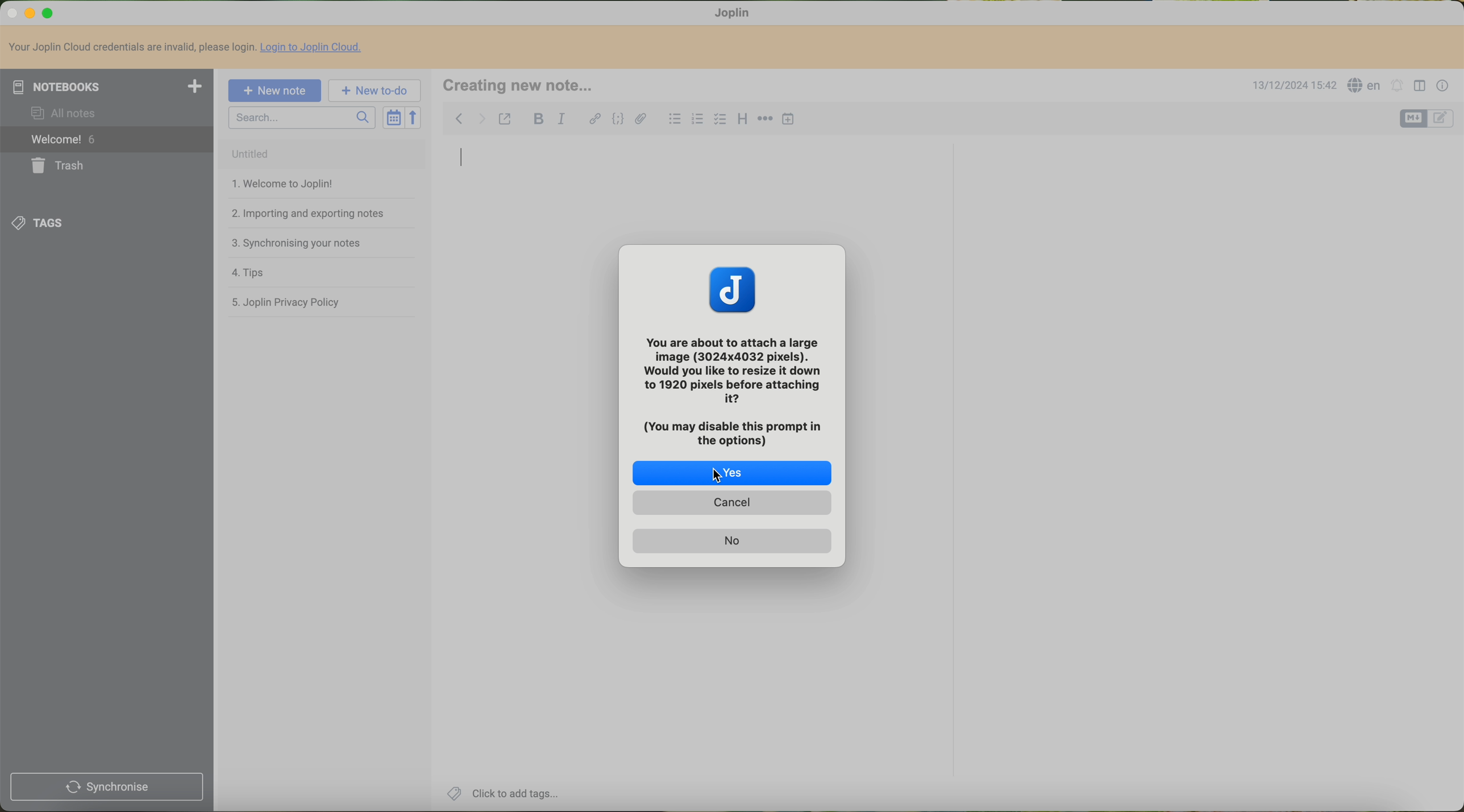 The height and width of the screenshot is (812, 1464). What do you see at coordinates (733, 288) in the screenshot?
I see `Joplin logo` at bounding box center [733, 288].